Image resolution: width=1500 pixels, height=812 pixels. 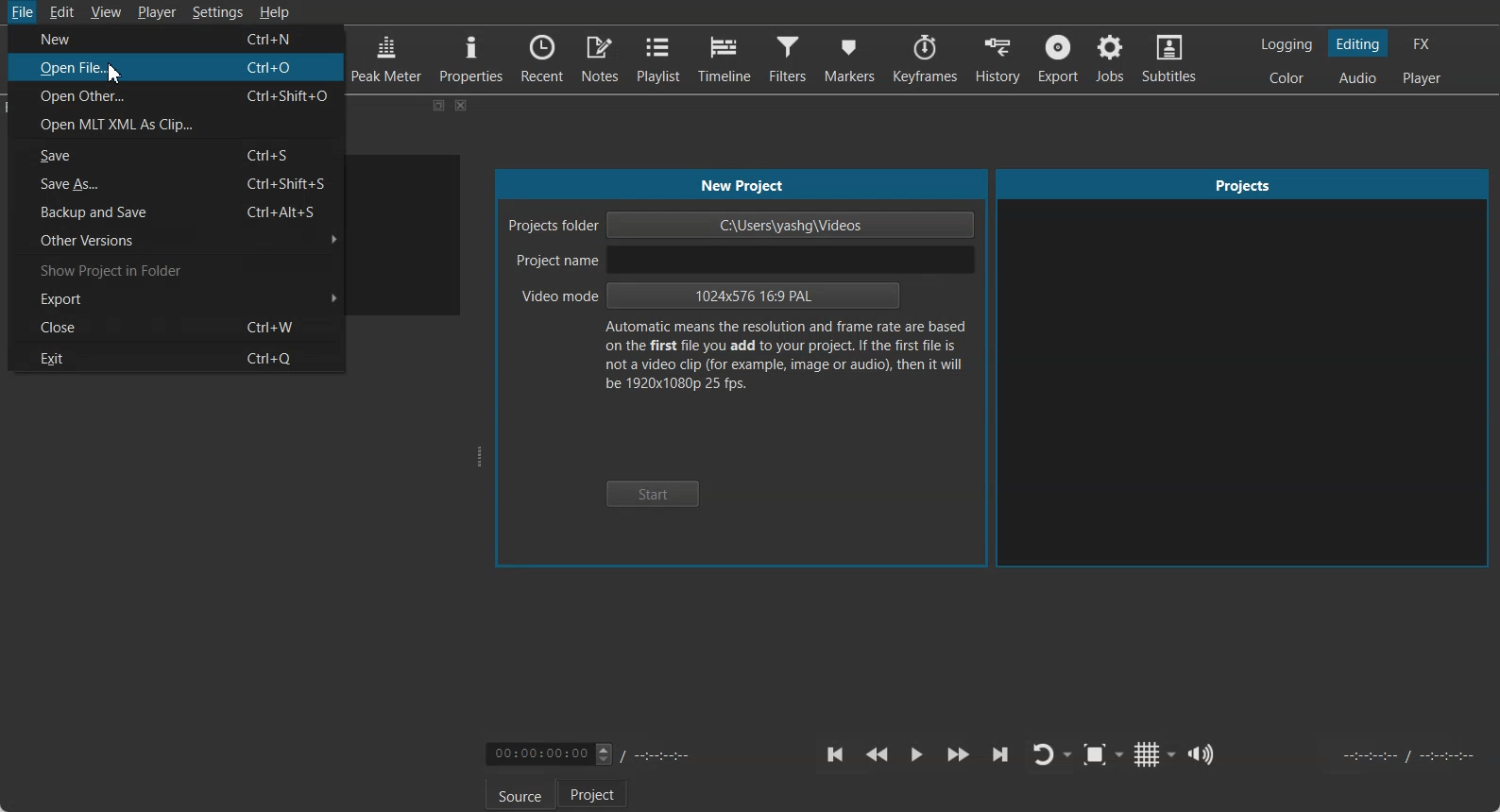 What do you see at coordinates (1156, 753) in the screenshot?
I see `Toggle grid display` at bounding box center [1156, 753].